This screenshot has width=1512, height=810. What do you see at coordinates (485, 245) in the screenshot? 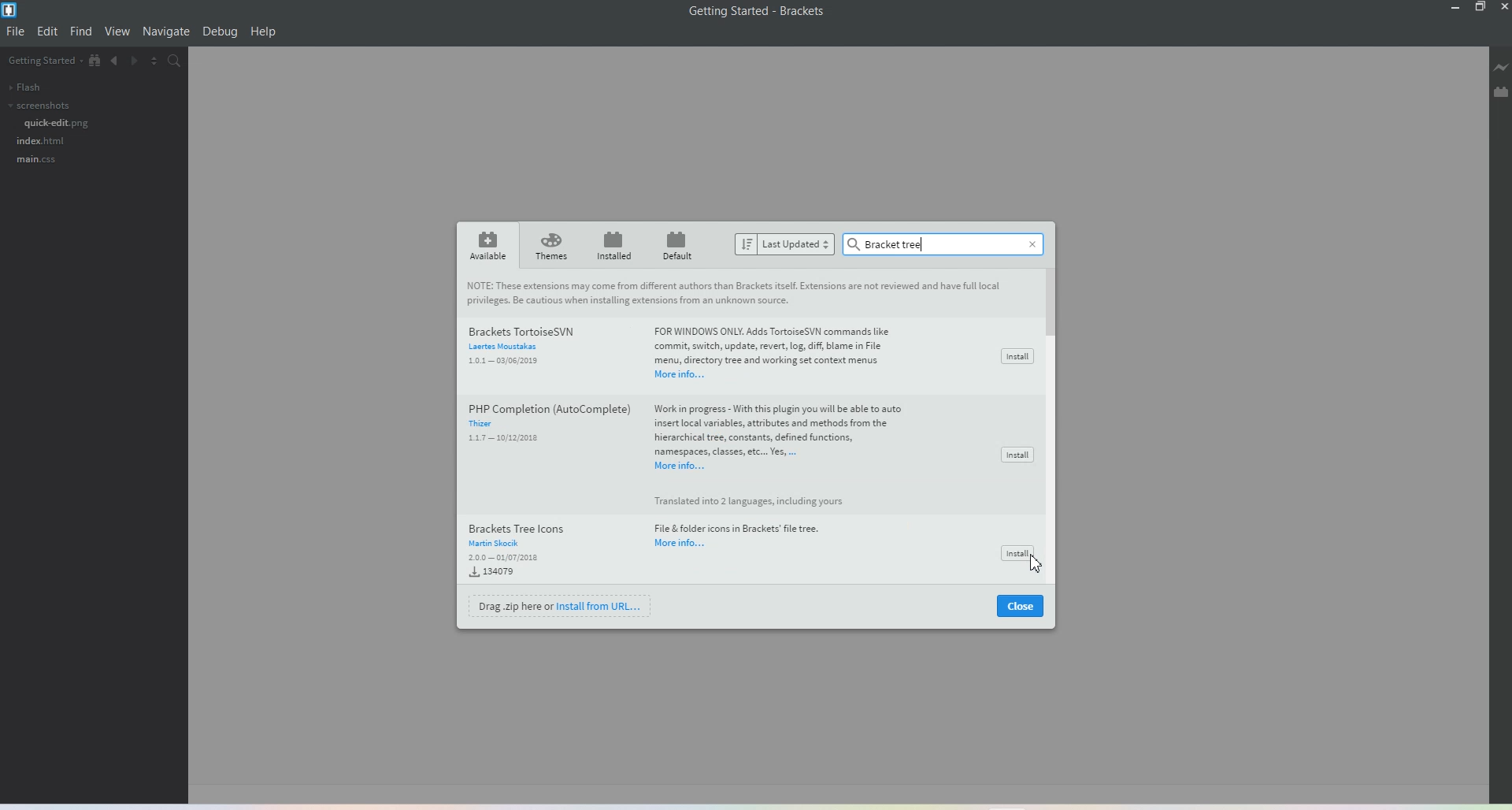
I see `Available` at bounding box center [485, 245].